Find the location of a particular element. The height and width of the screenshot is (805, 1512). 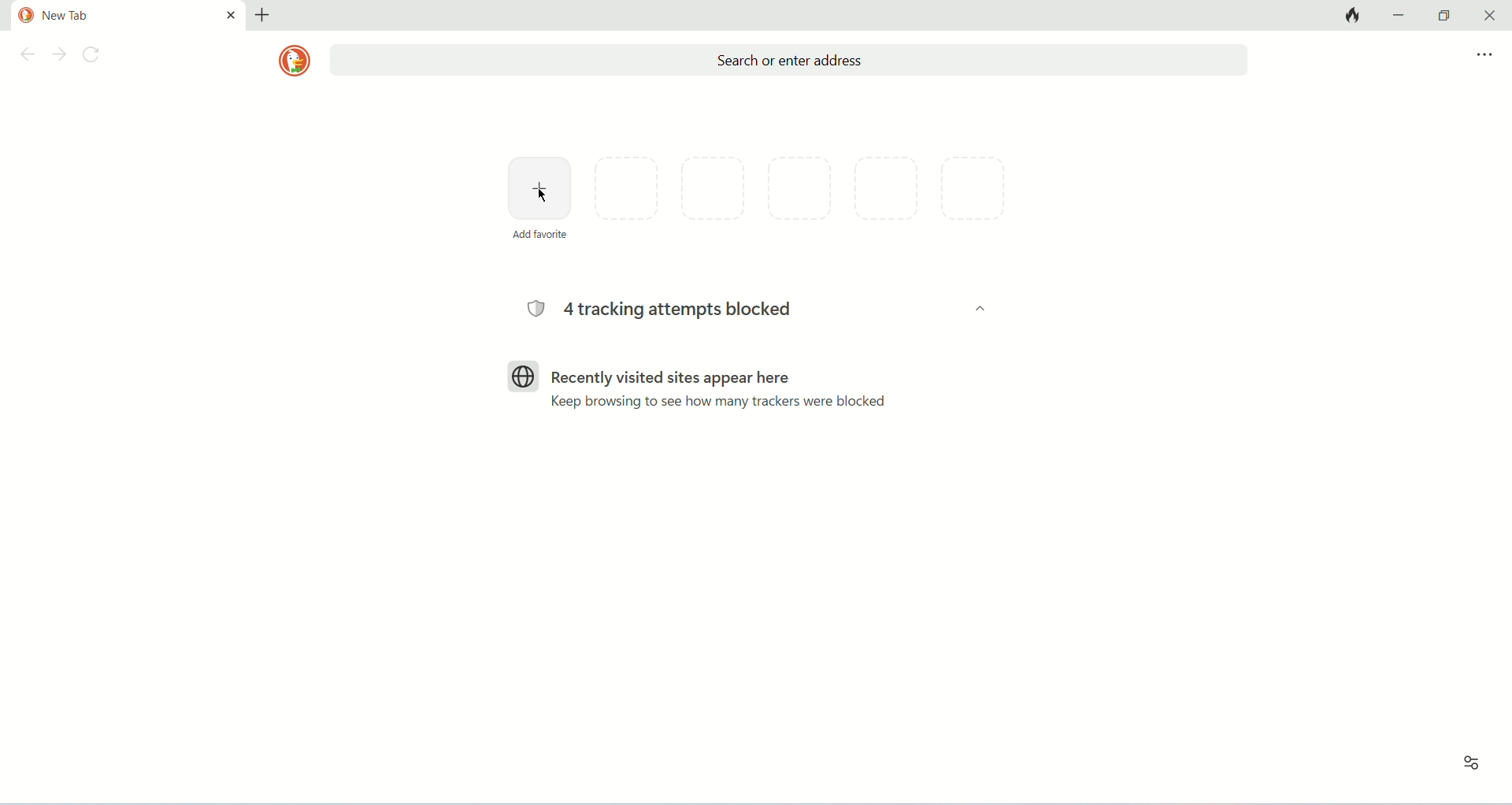

search or enter address is located at coordinates (788, 61).